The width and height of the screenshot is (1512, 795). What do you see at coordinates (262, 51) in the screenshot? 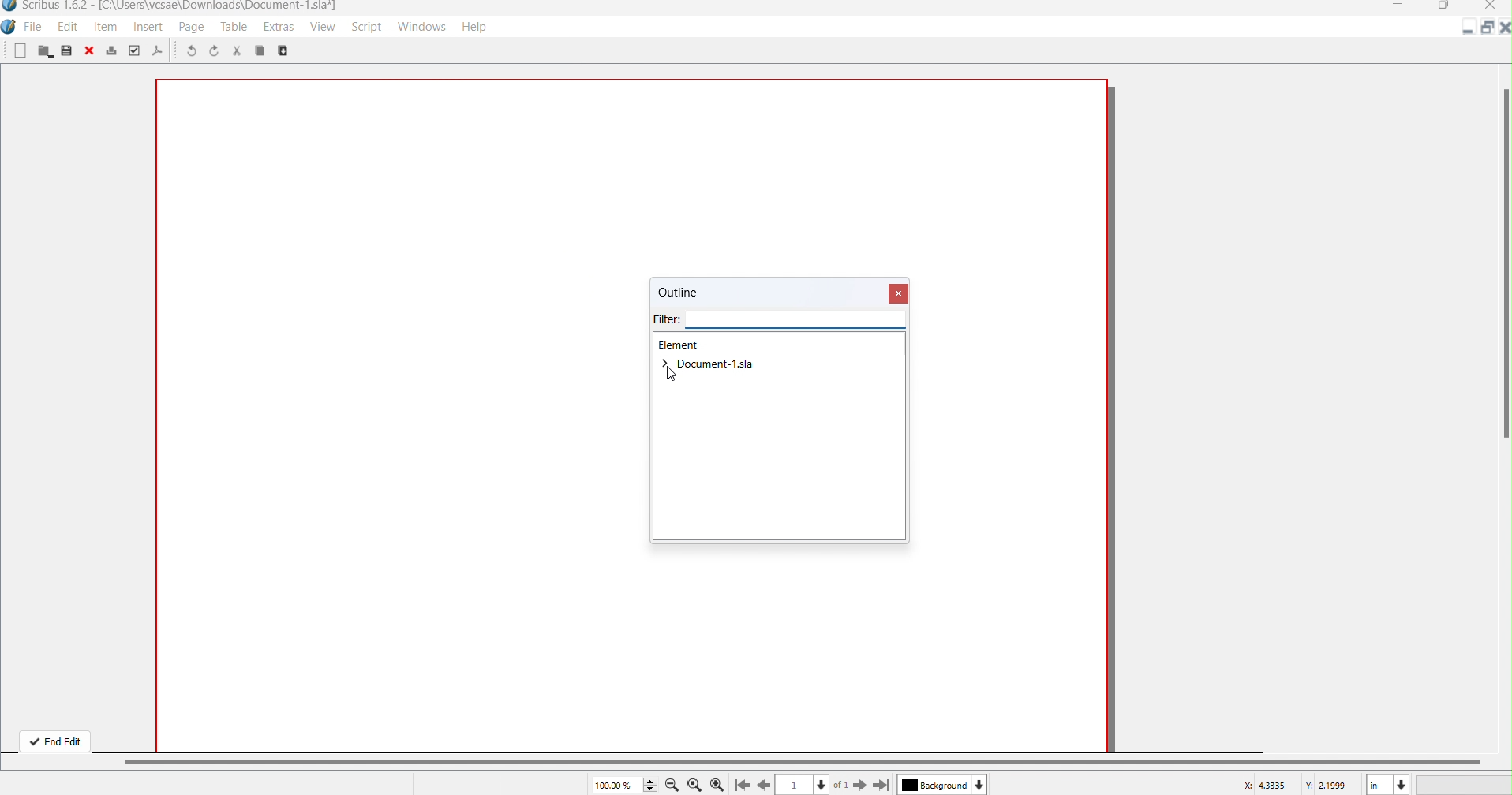
I see `` at bounding box center [262, 51].